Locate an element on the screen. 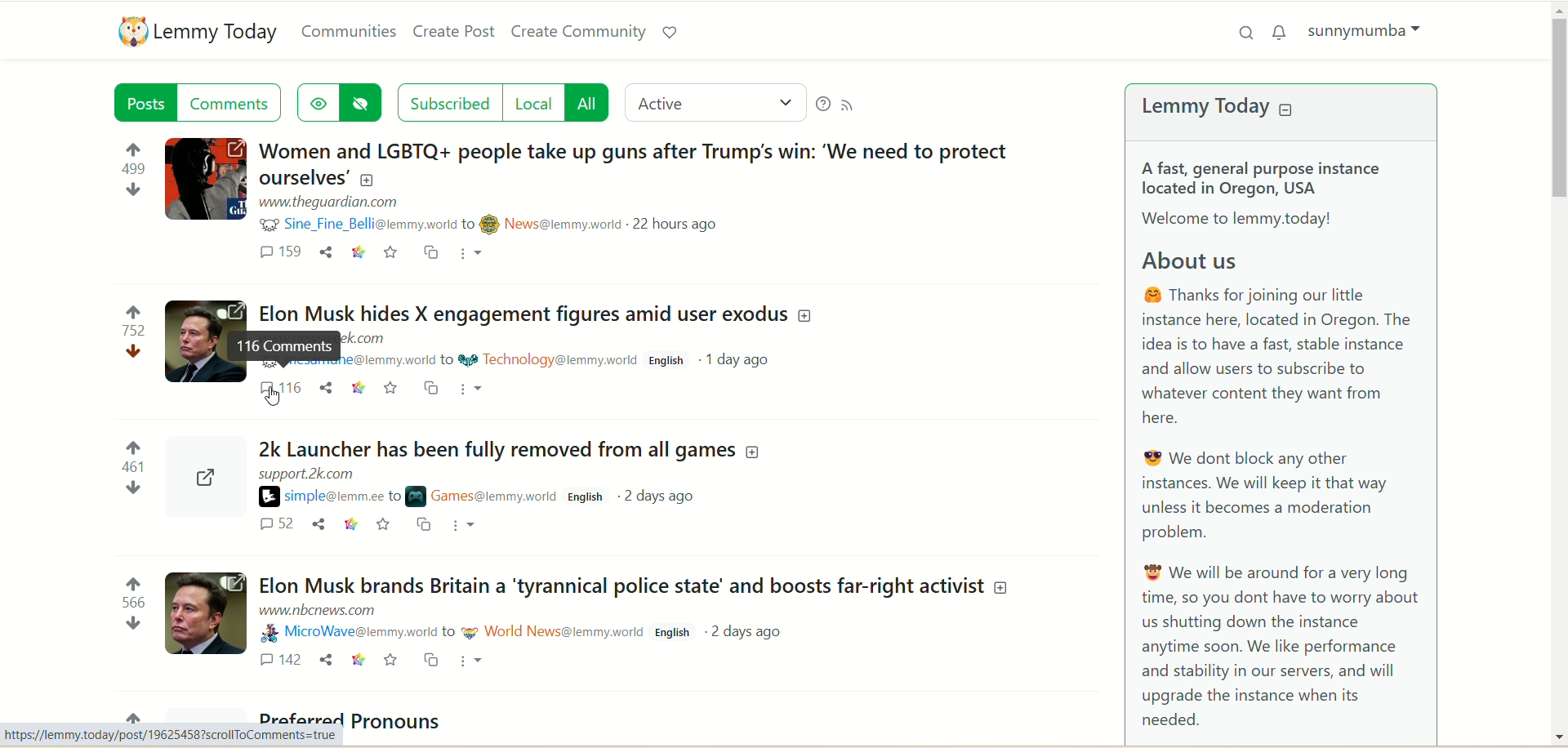  active is located at coordinates (714, 102).